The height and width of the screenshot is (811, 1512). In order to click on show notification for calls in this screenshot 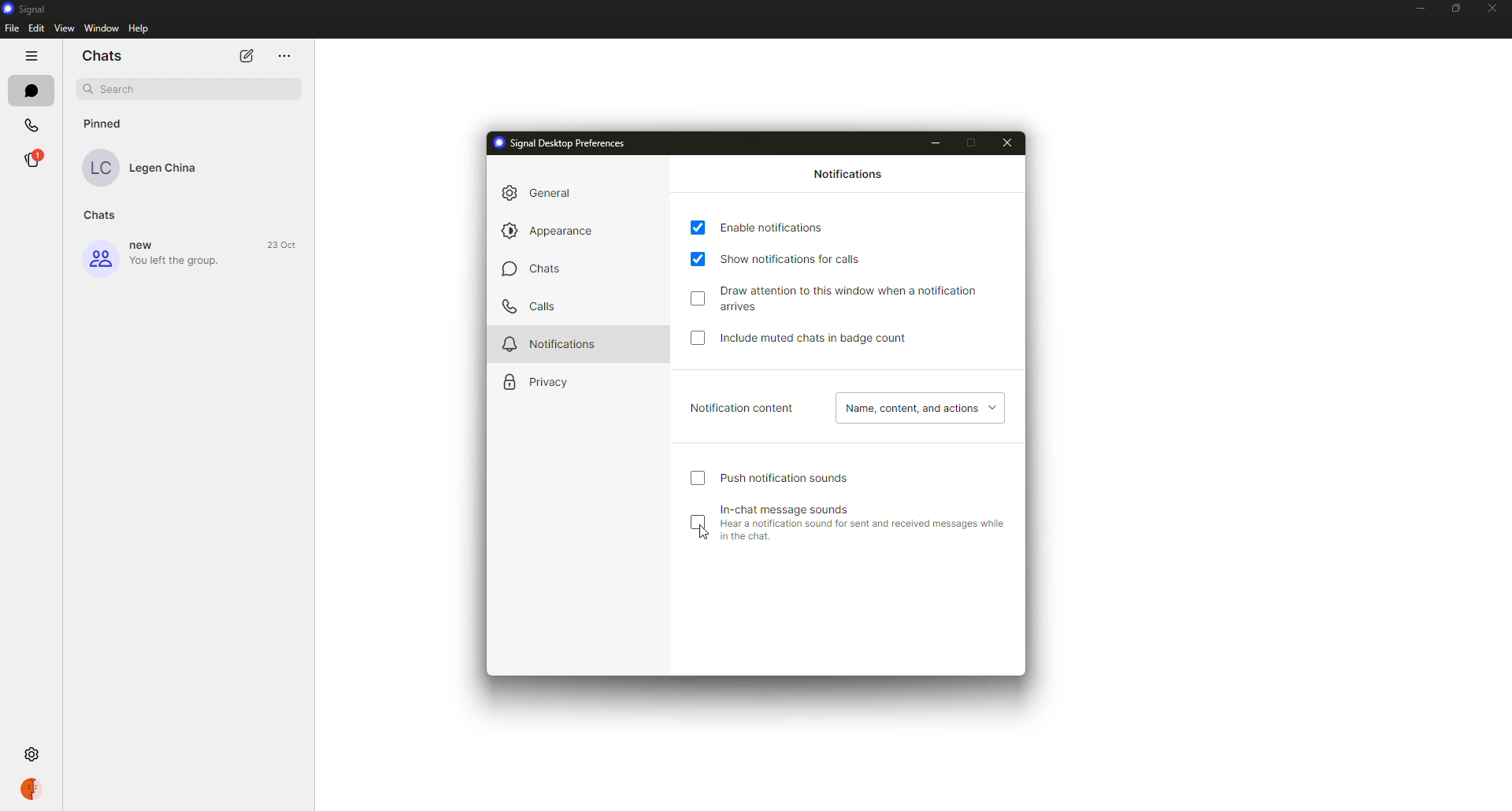, I will do `click(794, 260)`.